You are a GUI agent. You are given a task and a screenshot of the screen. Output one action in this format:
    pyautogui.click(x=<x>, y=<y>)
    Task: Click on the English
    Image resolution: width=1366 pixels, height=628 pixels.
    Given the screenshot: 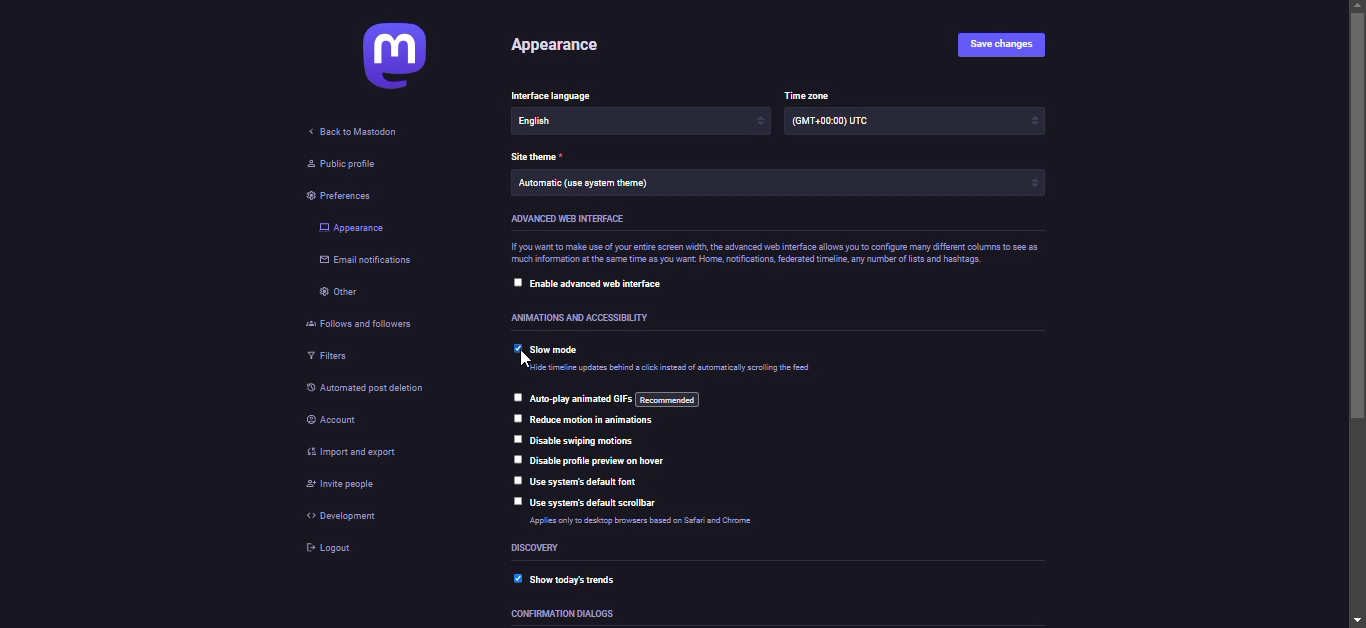 What is the action you would take?
    pyautogui.click(x=627, y=122)
    